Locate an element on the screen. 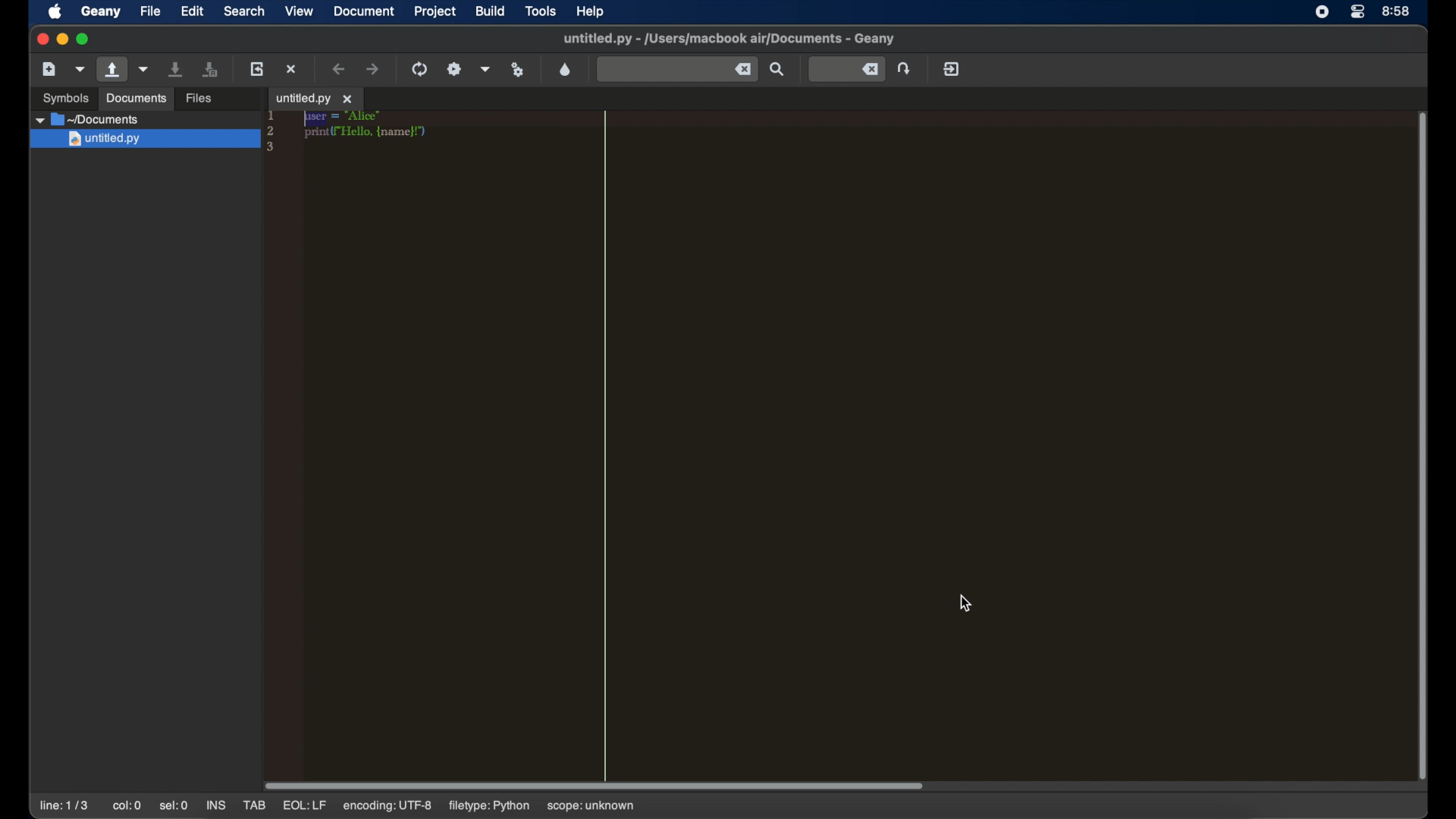 This screenshot has height=819, width=1456. close the current file is located at coordinates (292, 68).